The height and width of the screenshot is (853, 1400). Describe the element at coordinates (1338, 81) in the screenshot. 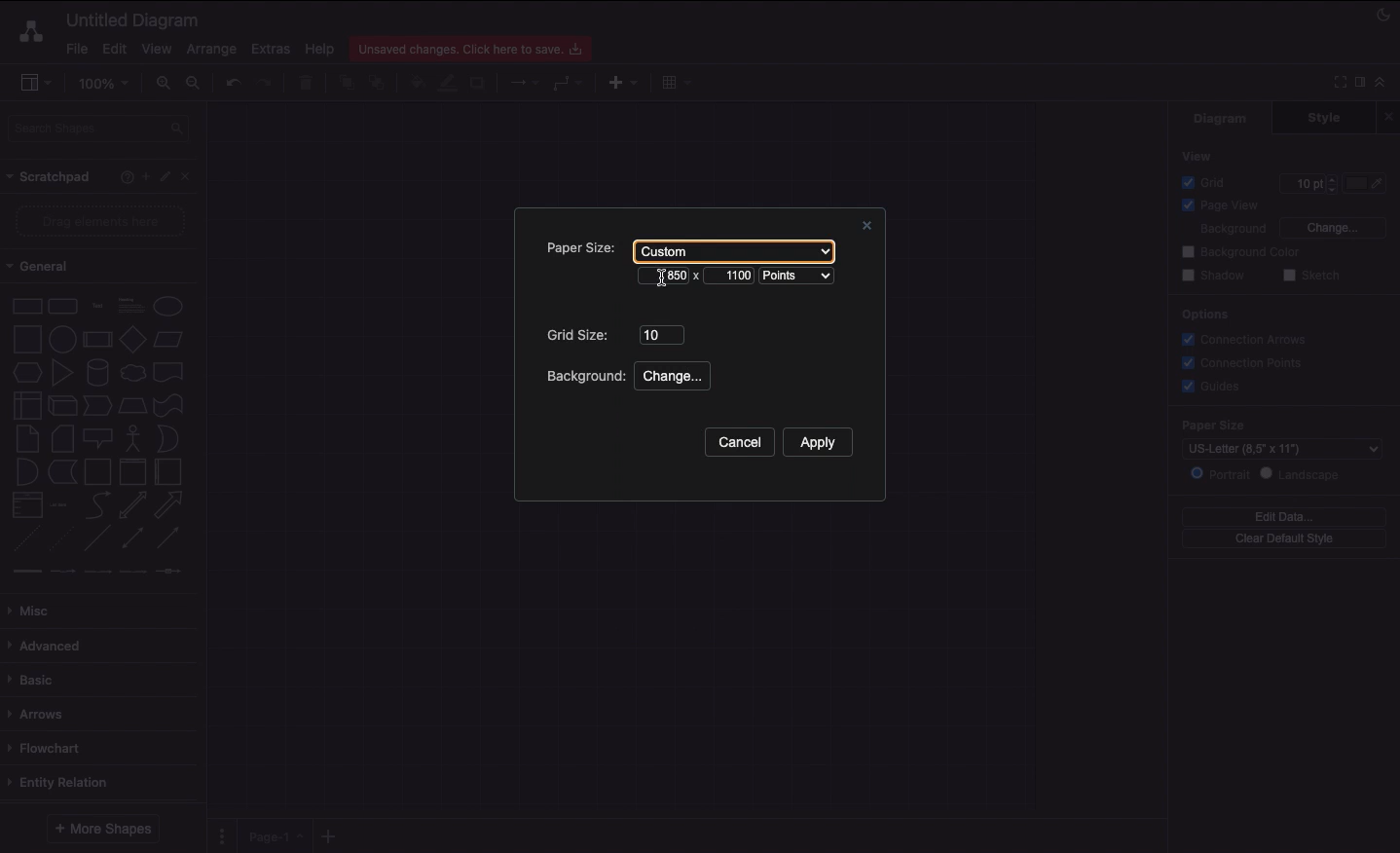

I see `Full screen` at that location.